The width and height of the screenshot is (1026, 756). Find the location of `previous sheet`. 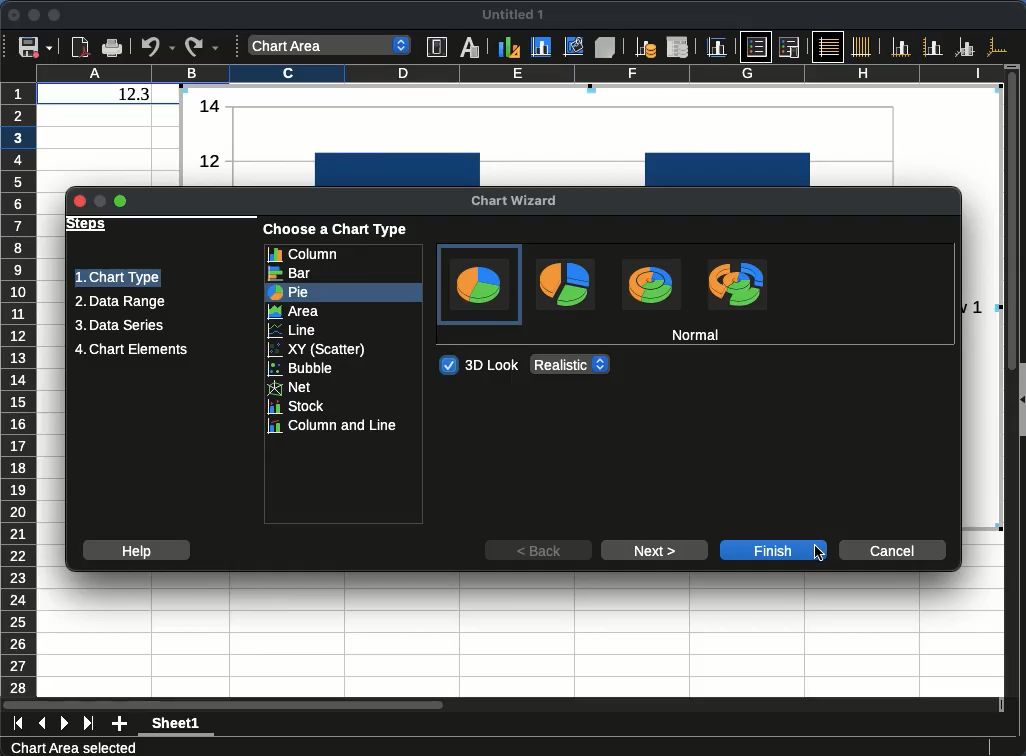

previous sheet is located at coordinates (42, 724).